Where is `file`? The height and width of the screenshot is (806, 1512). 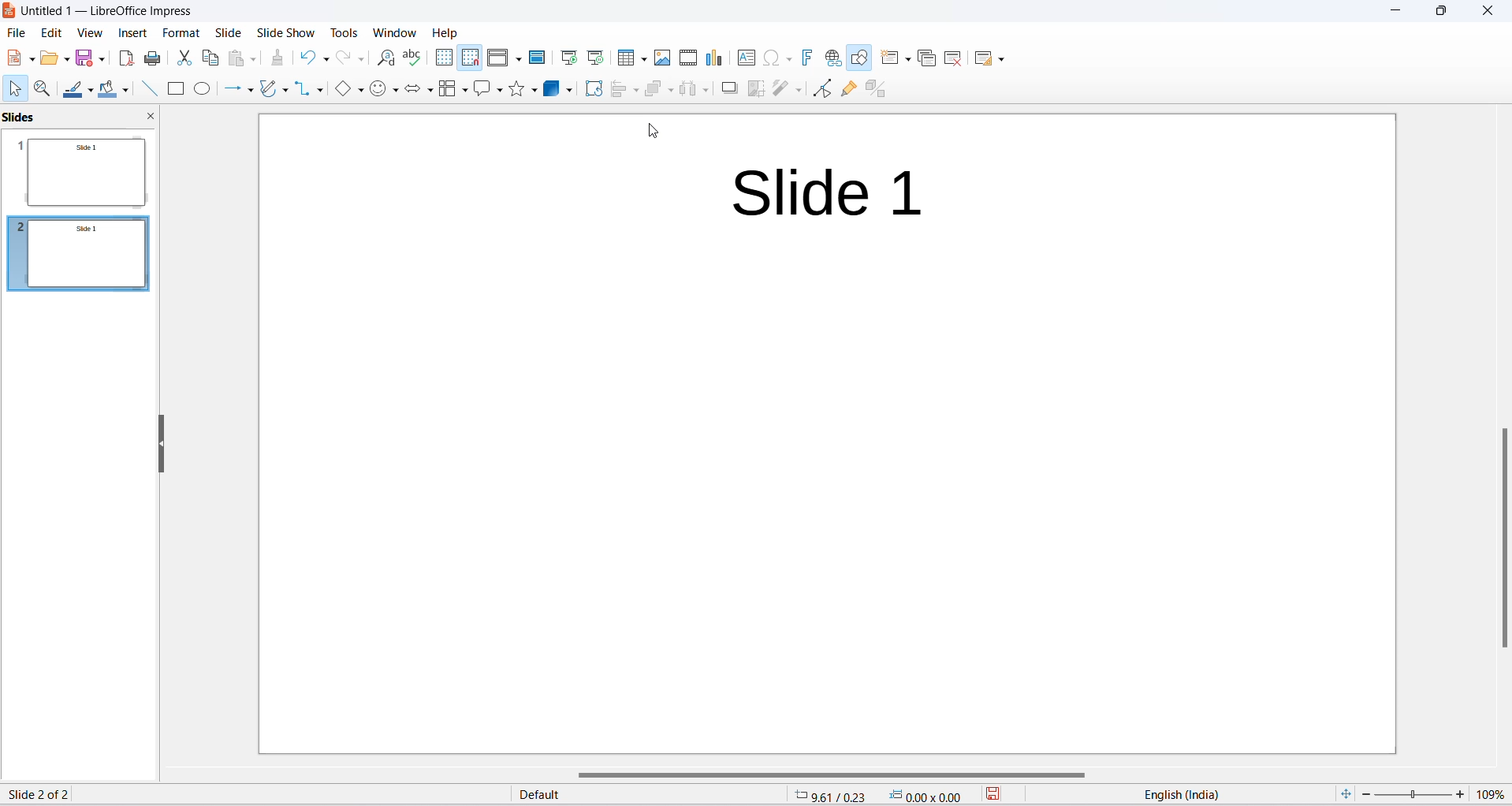 file is located at coordinates (17, 33).